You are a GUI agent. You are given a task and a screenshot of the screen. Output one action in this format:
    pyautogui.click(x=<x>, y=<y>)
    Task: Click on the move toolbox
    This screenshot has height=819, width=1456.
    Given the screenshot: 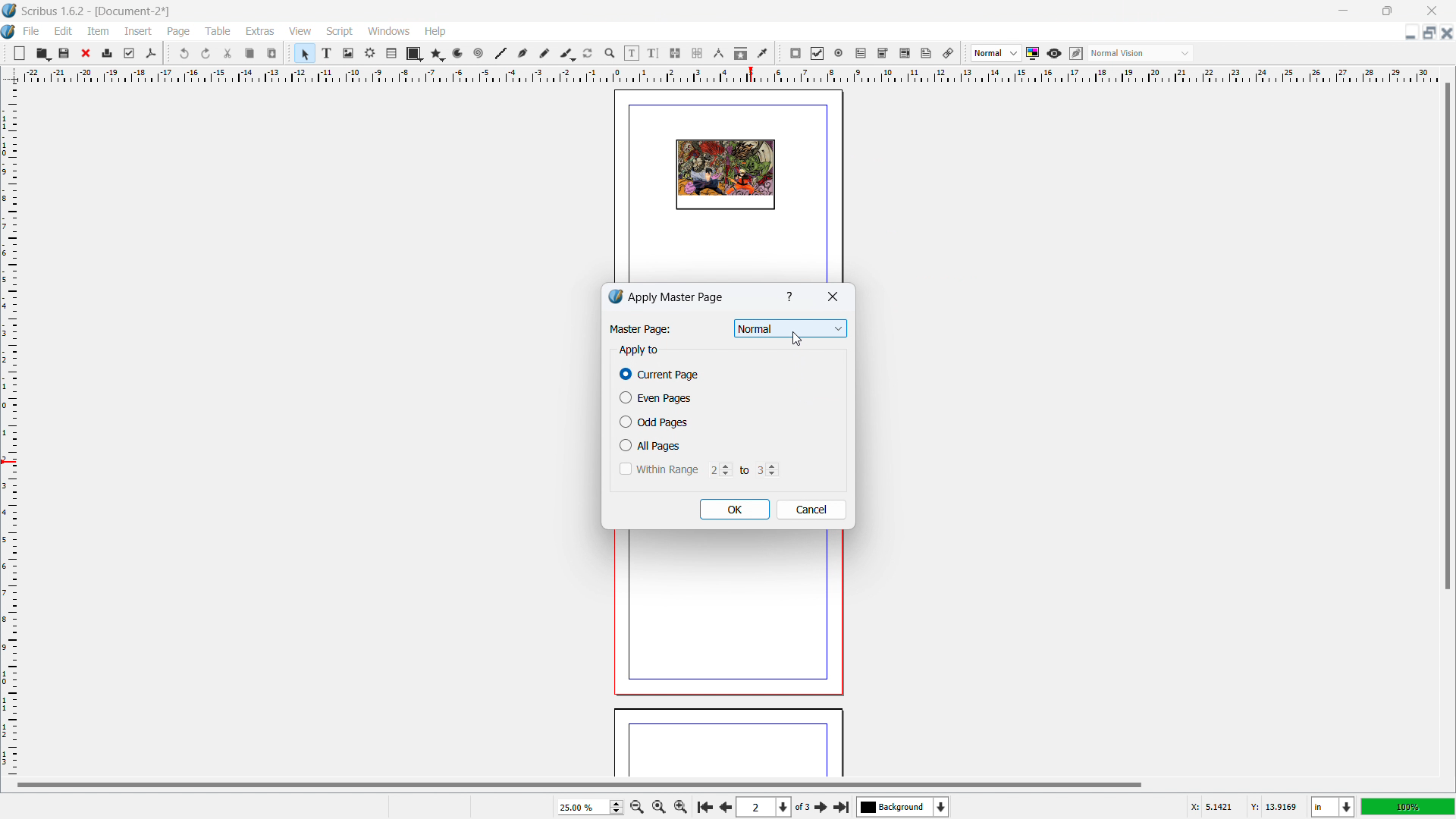 What is the action you would take?
    pyautogui.click(x=965, y=54)
    